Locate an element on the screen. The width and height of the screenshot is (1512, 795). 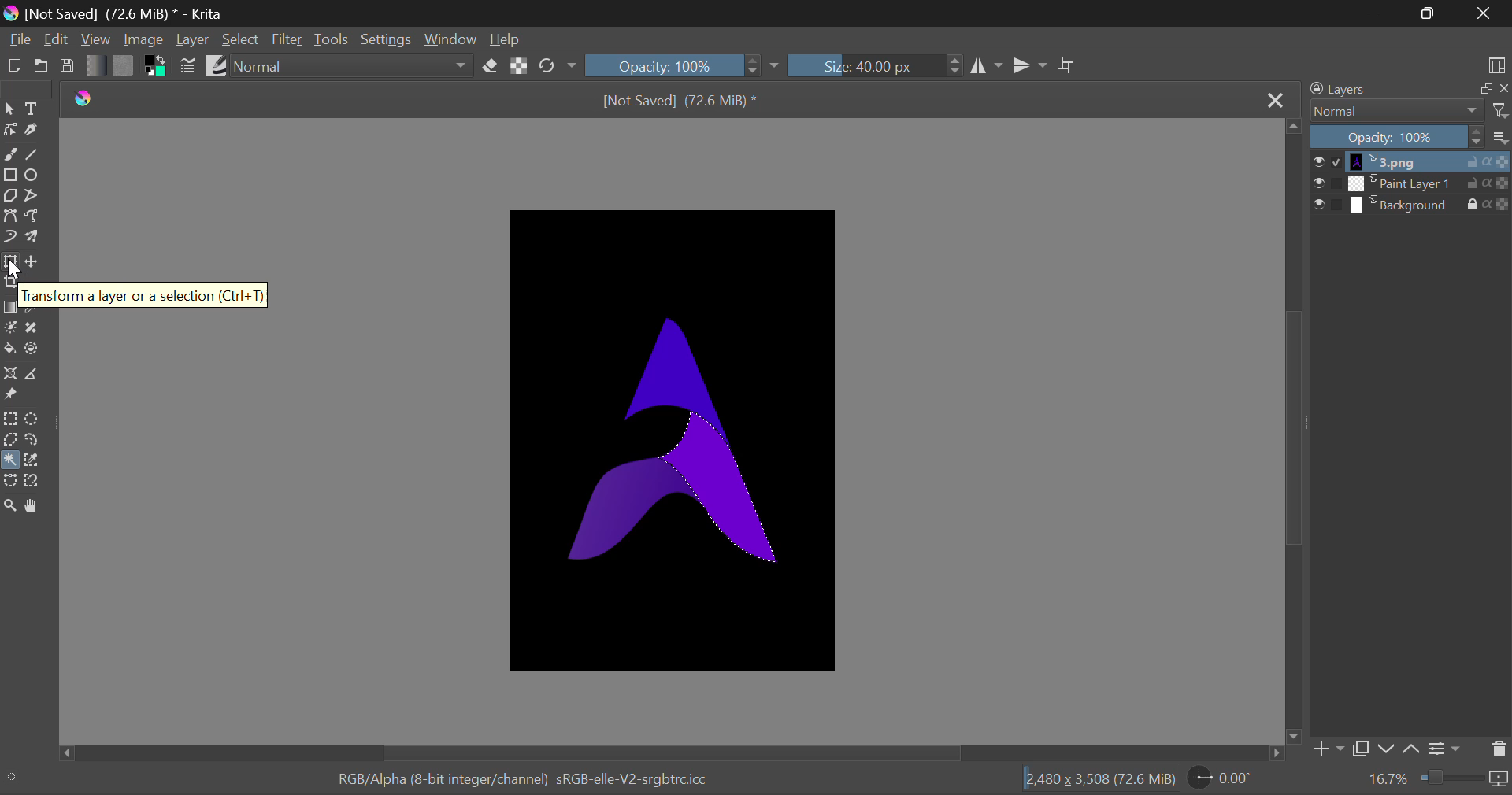
Lock Alpha is located at coordinates (519, 67).